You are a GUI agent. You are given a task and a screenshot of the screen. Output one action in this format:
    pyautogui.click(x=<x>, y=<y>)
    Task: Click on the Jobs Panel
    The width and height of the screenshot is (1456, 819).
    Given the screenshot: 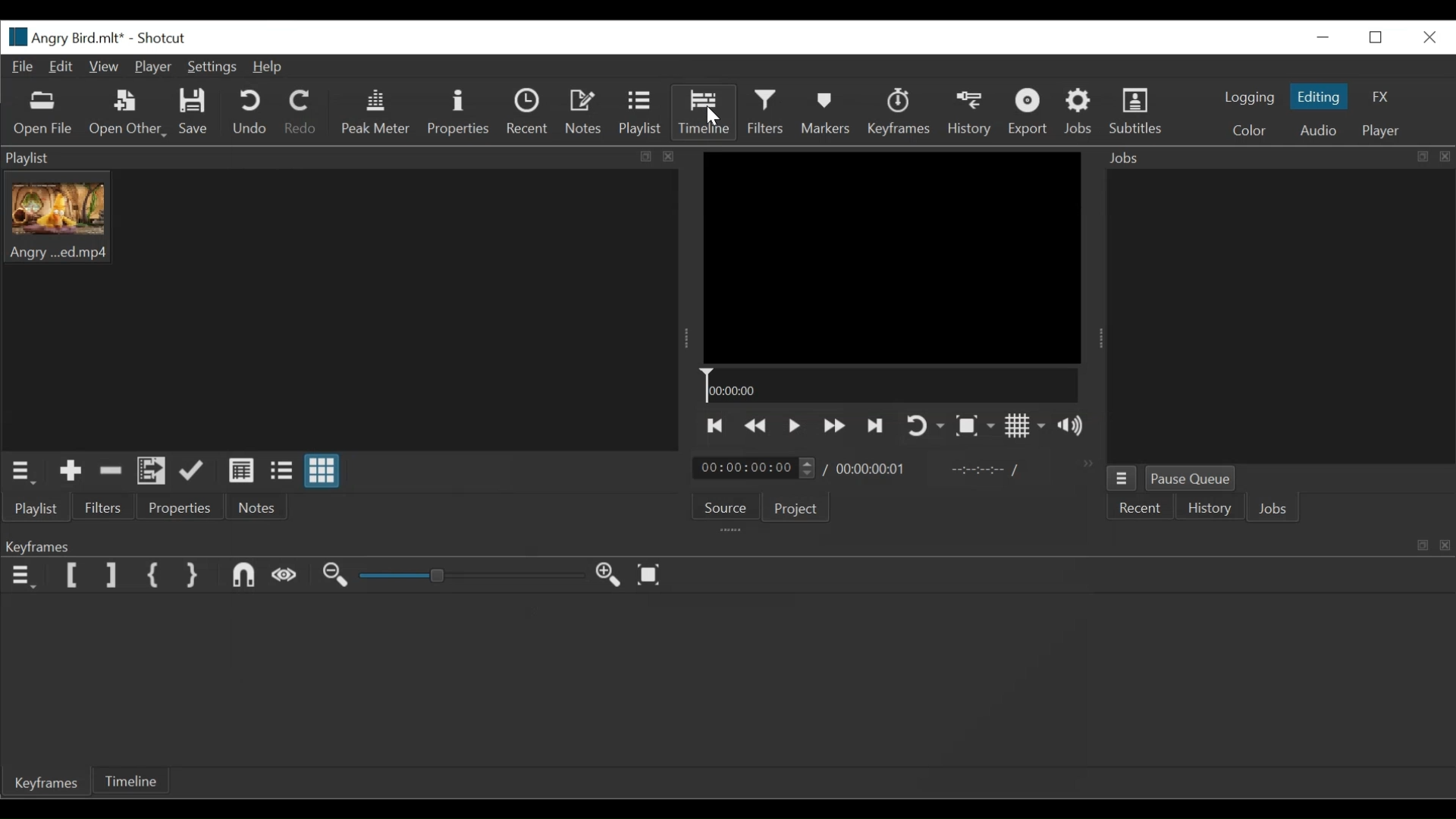 What is the action you would take?
    pyautogui.click(x=1279, y=317)
    